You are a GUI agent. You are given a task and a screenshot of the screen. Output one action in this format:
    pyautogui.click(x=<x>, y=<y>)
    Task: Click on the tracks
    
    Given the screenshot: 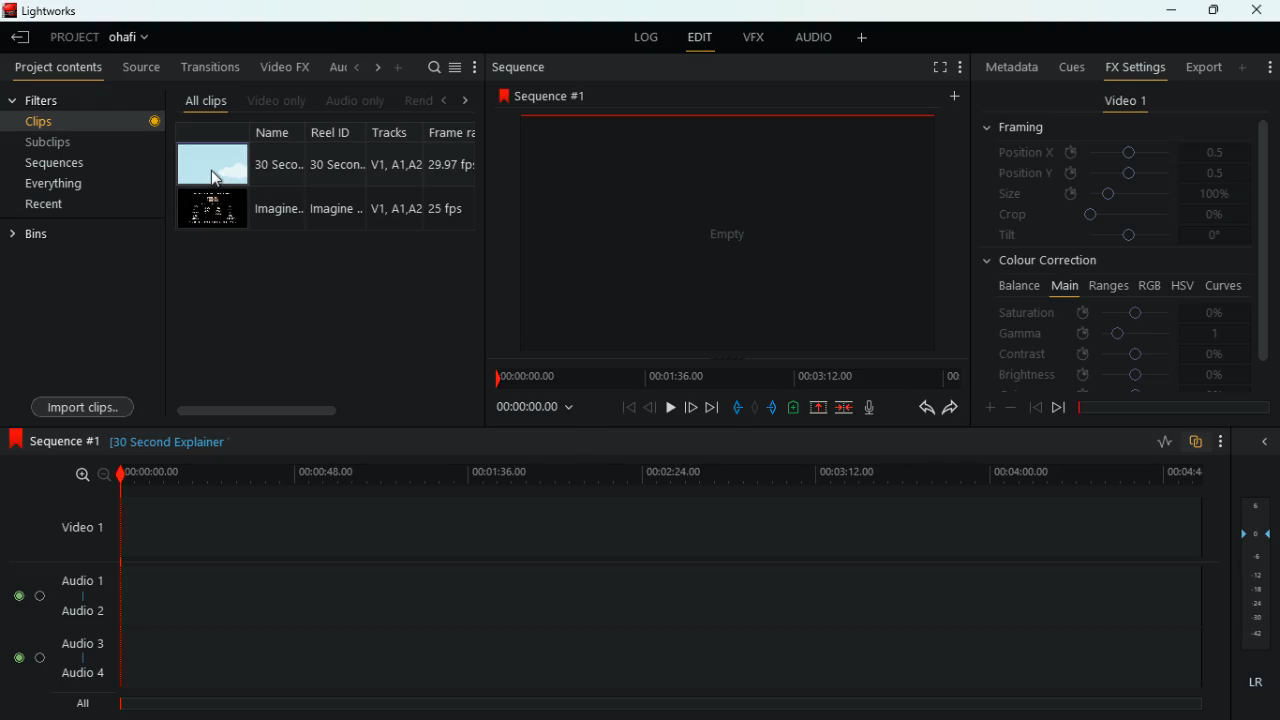 What is the action you would take?
    pyautogui.click(x=390, y=177)
    